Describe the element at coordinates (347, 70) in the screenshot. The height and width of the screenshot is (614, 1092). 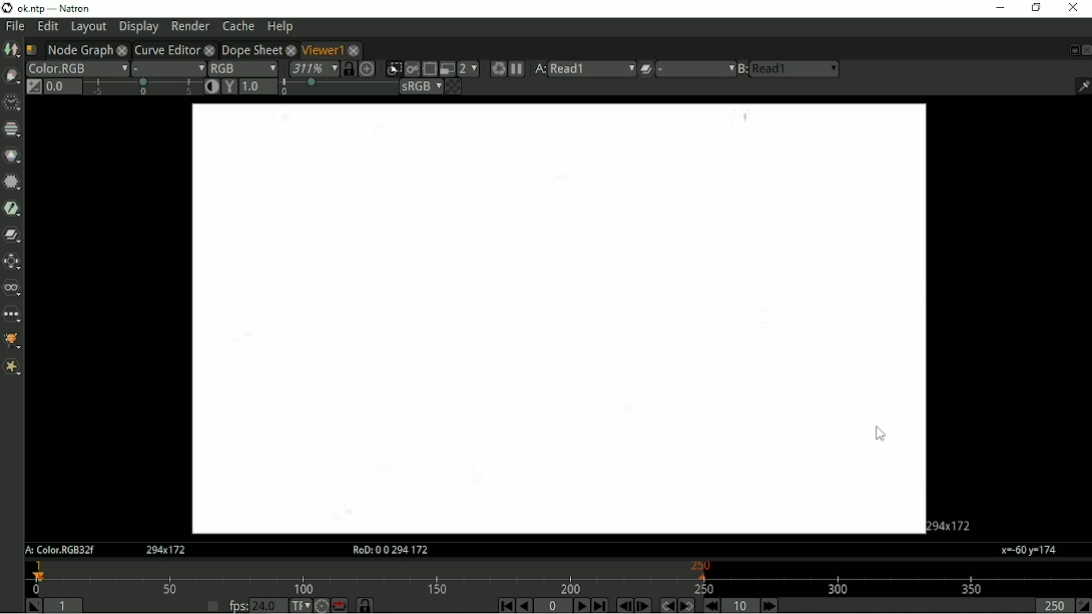
I see `Synchronized` at that location.